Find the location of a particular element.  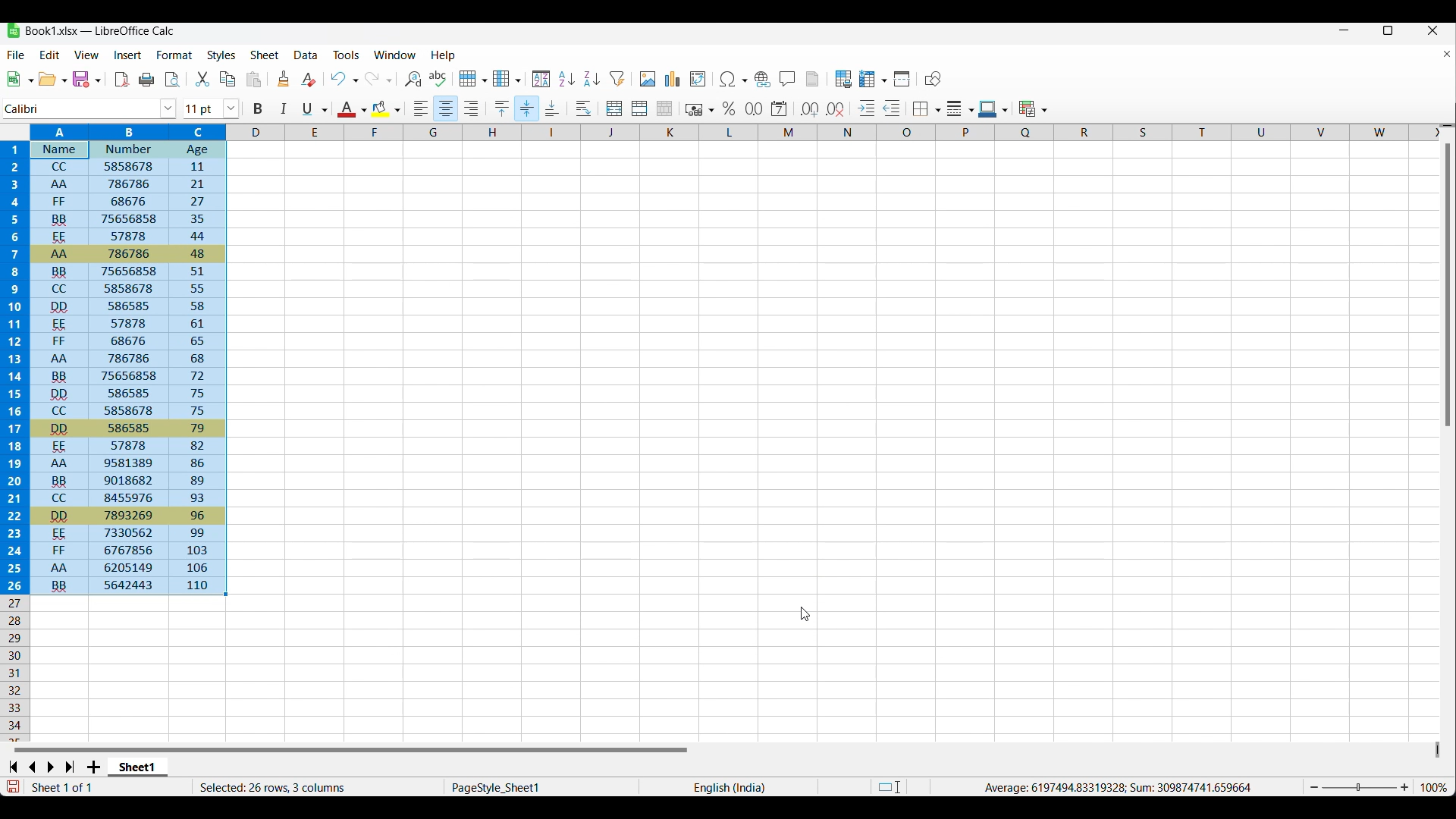

Tools menu is located at coordinates (347, 55).